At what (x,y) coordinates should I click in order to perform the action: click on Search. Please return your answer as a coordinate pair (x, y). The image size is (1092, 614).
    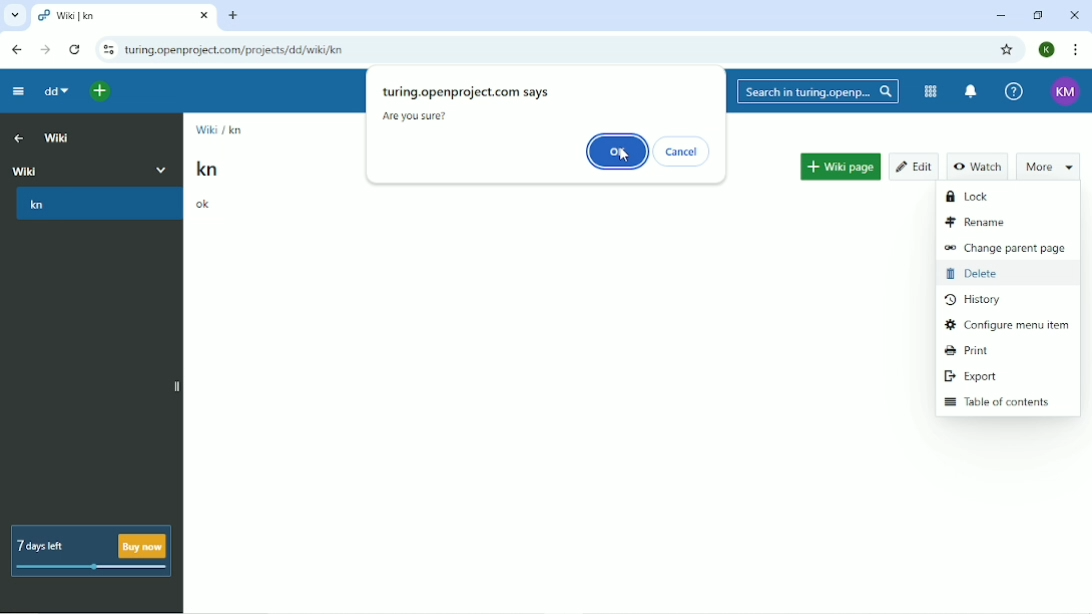
    Looking at the image, I should click on (818, 92).